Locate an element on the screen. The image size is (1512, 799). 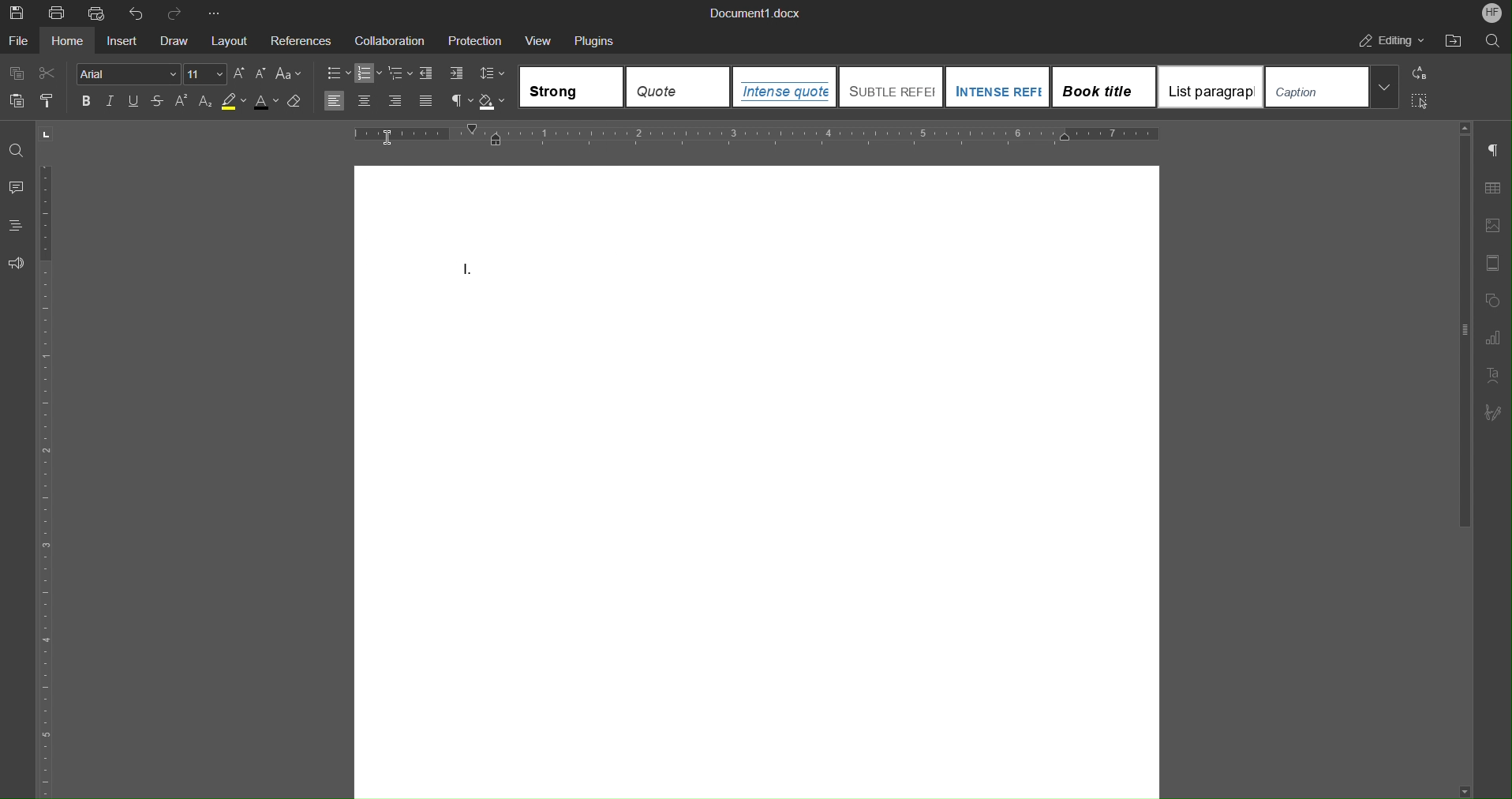
Shadow is located at coordinates (492, 102).